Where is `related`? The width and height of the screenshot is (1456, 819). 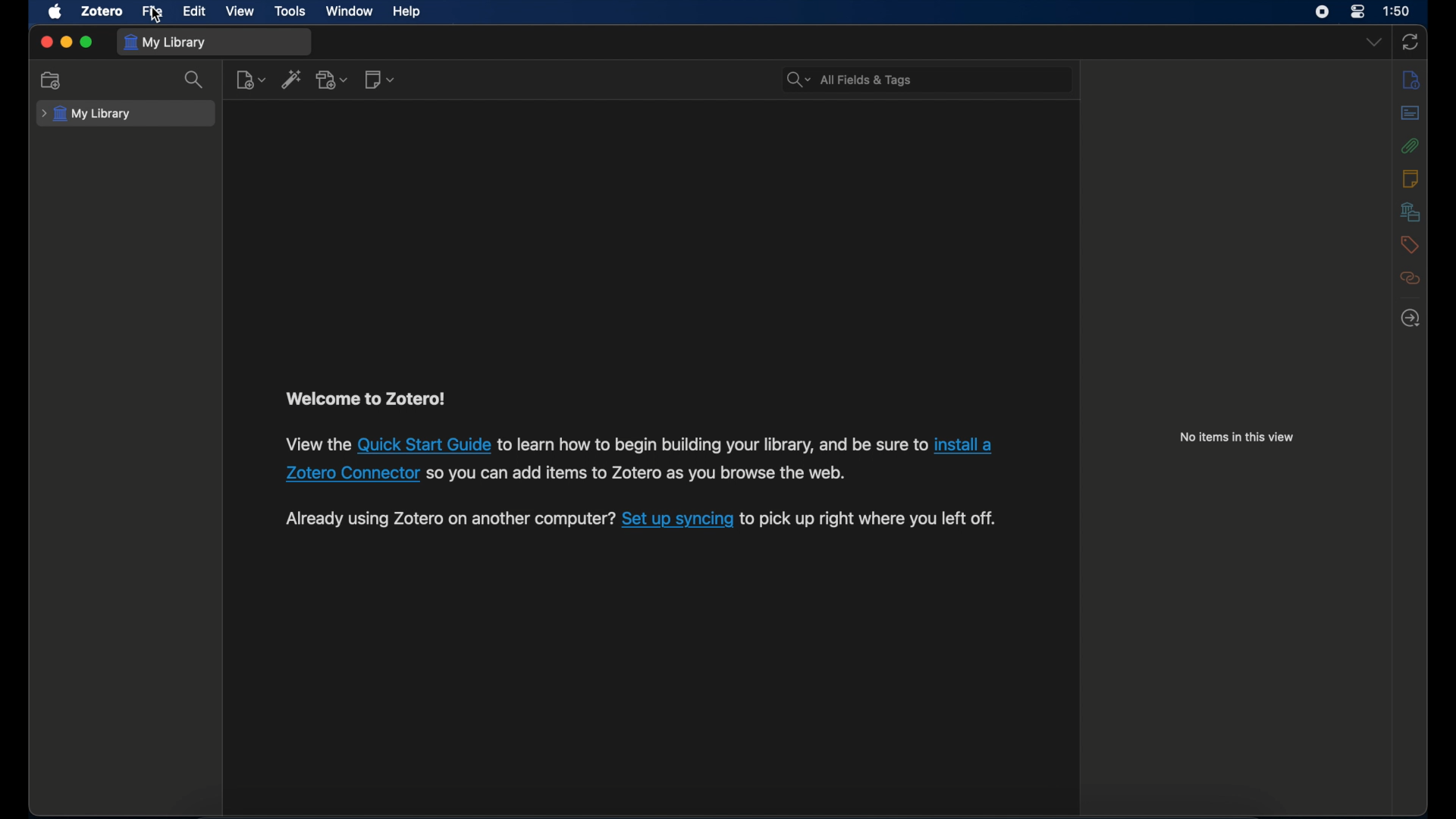
related is located at coordinates (1410, 278).